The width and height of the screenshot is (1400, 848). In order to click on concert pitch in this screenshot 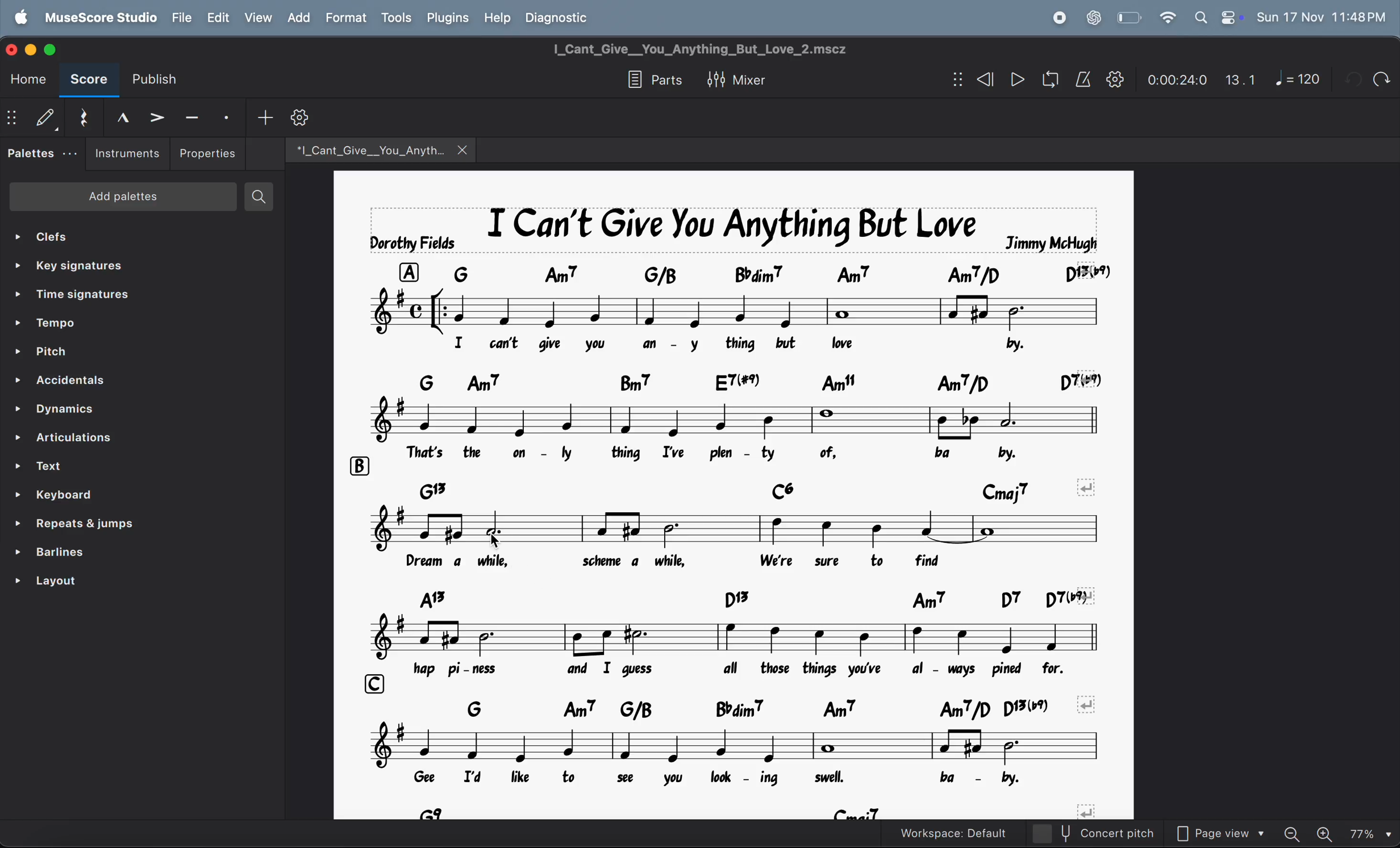, I will do `click(1090, 833)`.